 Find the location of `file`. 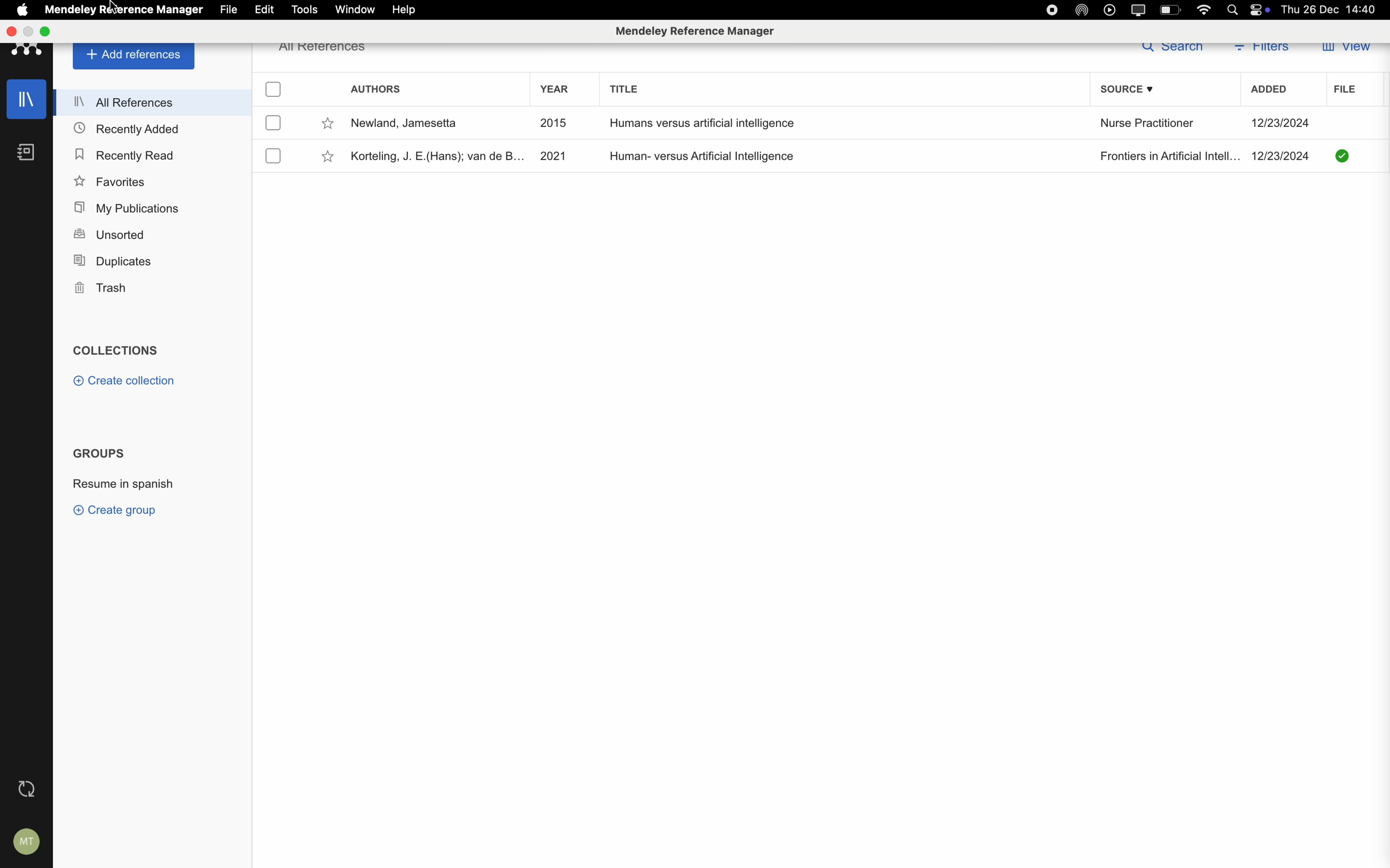

file is located at coordinates (1341, 90).